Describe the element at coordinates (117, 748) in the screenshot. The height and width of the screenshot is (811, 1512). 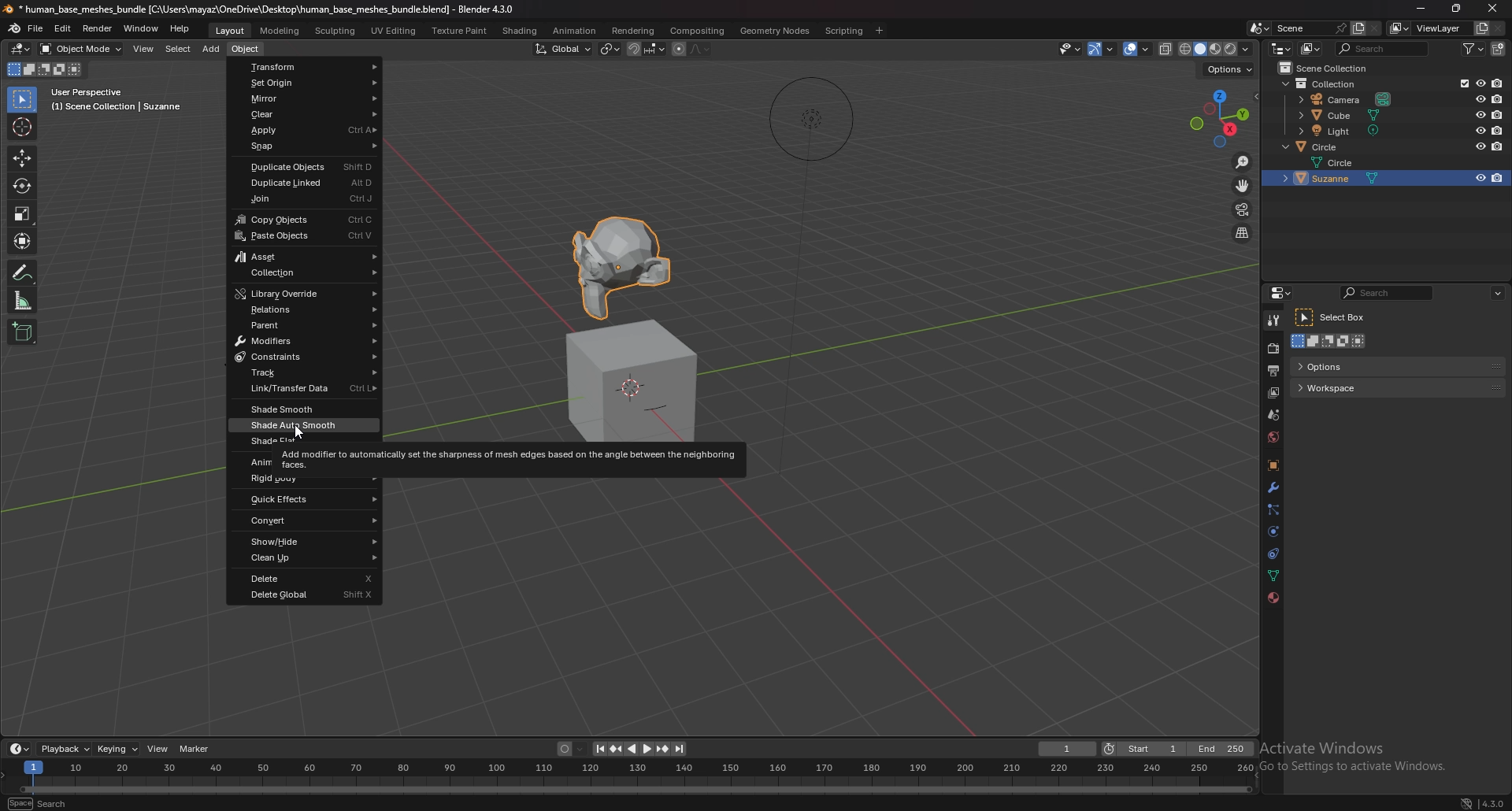
I see `keying` at that location.